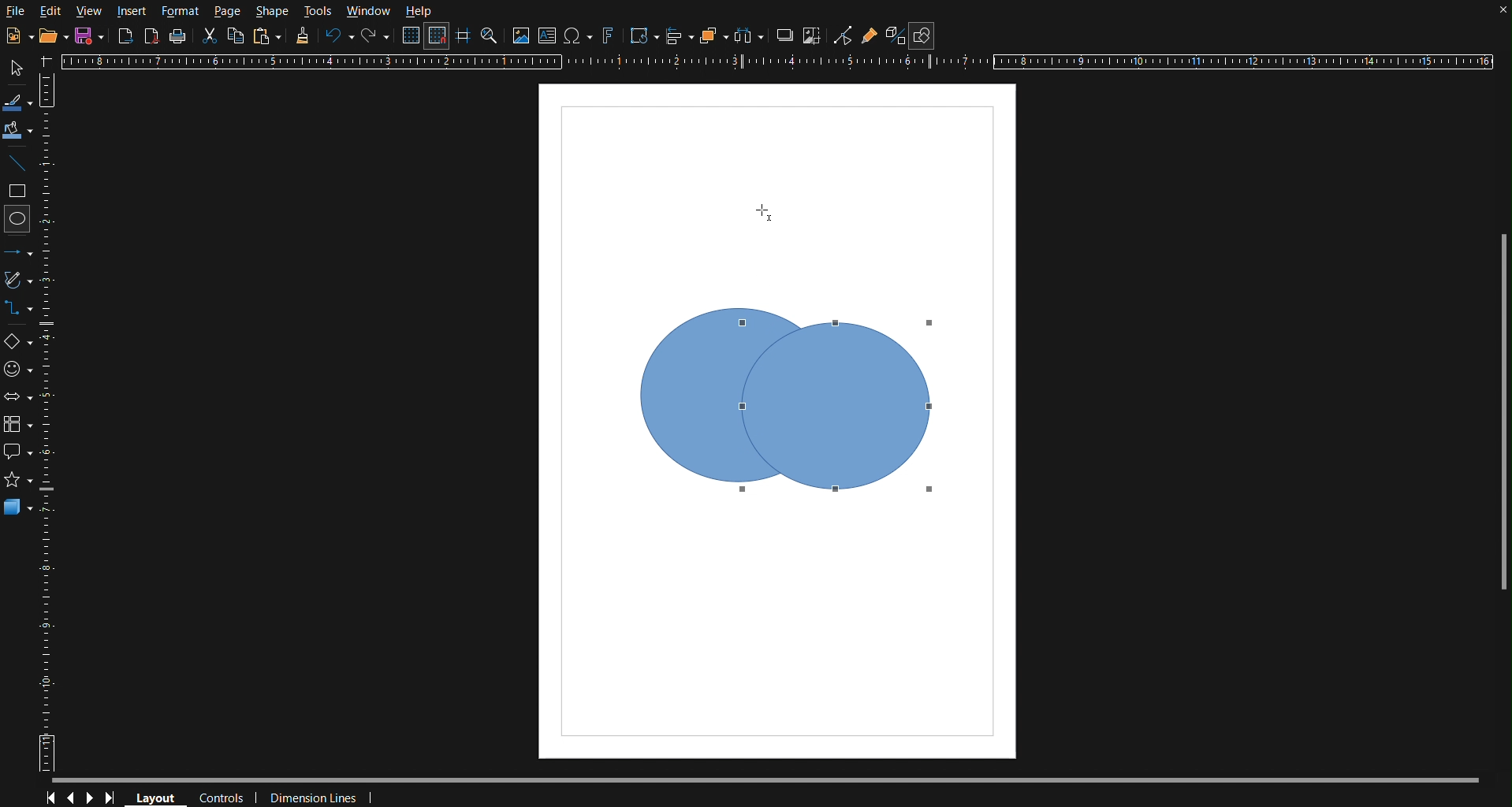 The image size is (1512, 807). What do you see at coordinates (679, 35) in the screenshot?
I see `Align` at bounding box center [679, 35].